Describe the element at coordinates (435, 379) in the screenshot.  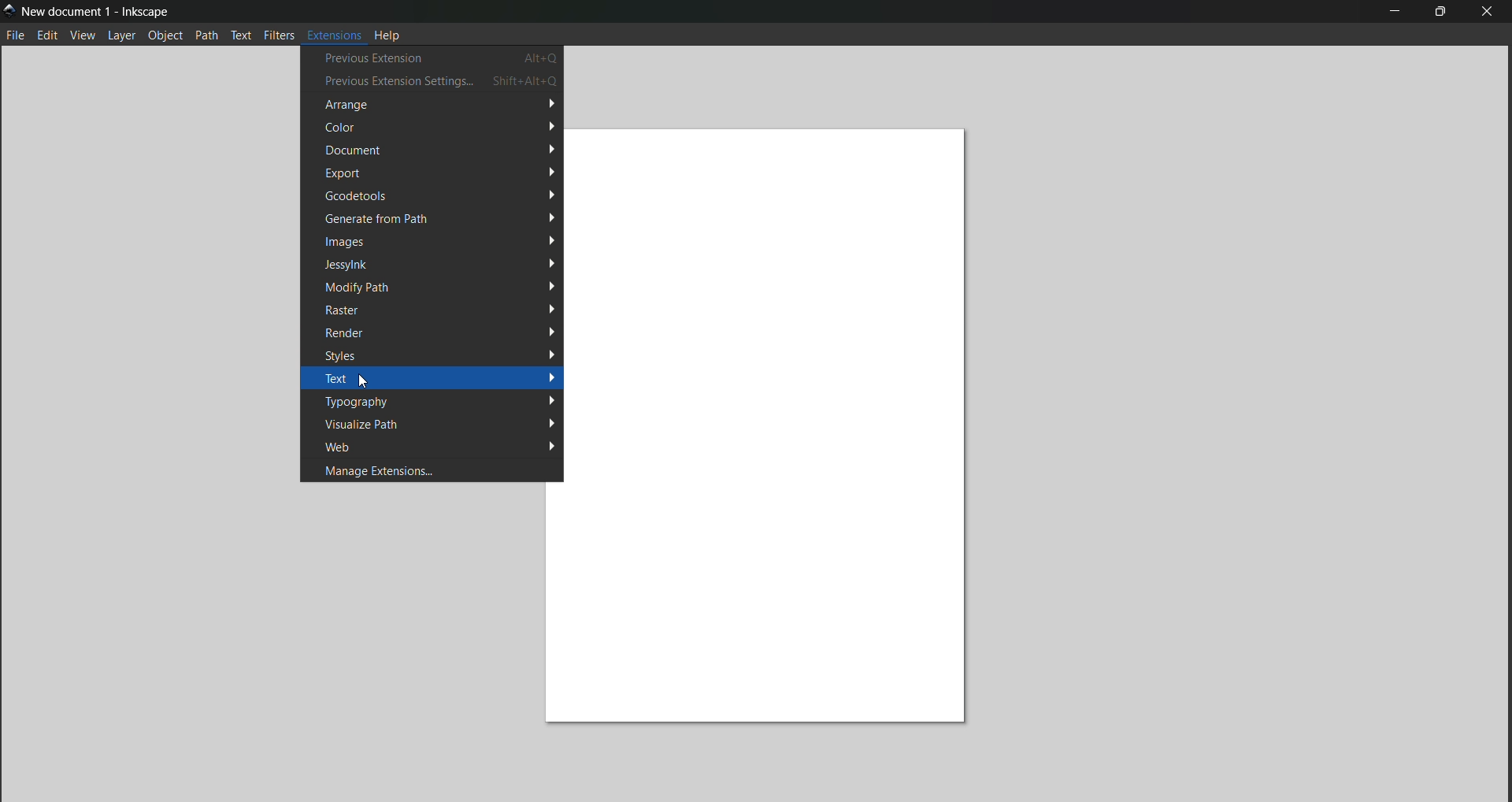
I see `text` at that location.